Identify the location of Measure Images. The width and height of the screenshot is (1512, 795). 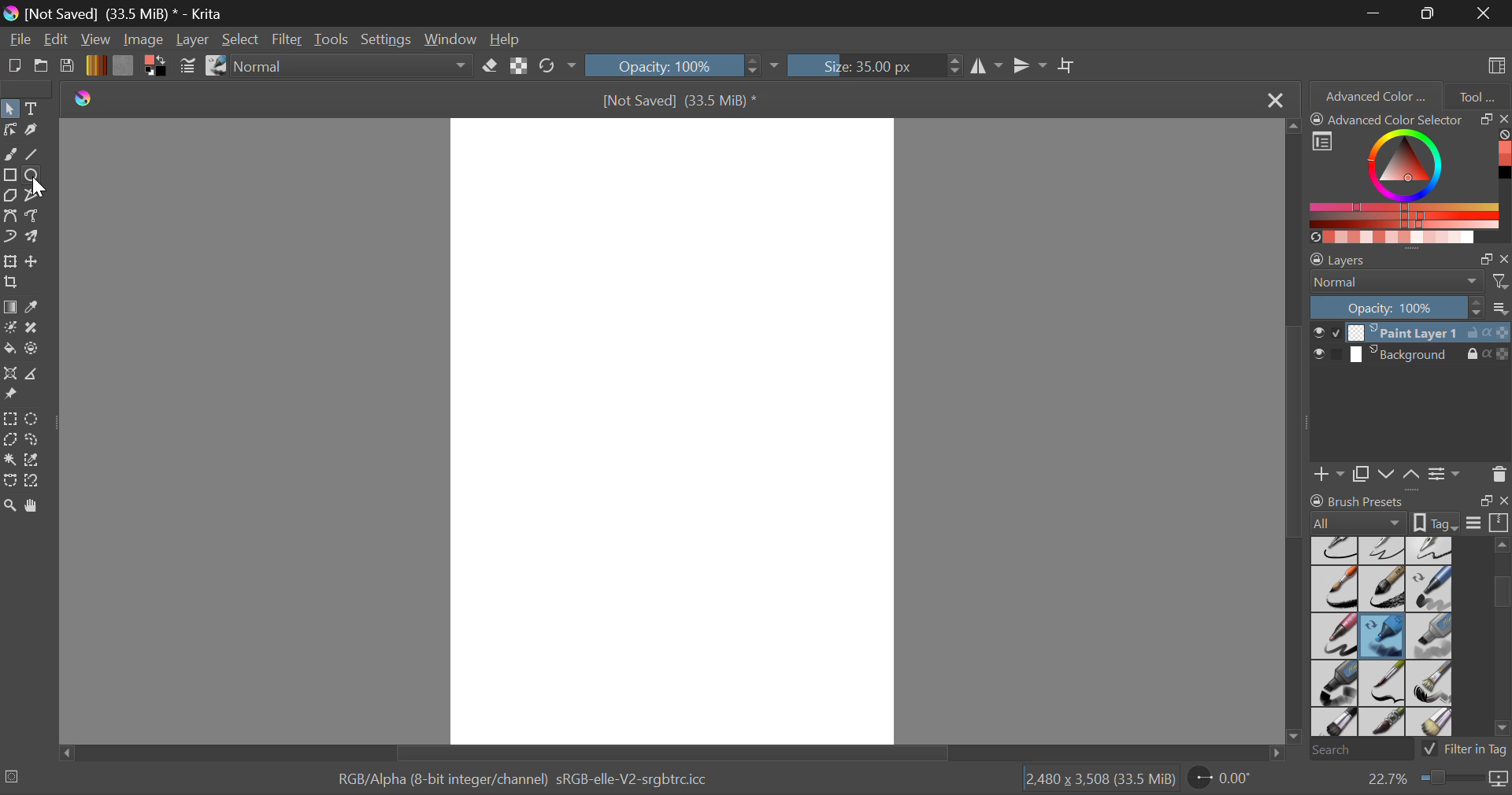
(34, 376).